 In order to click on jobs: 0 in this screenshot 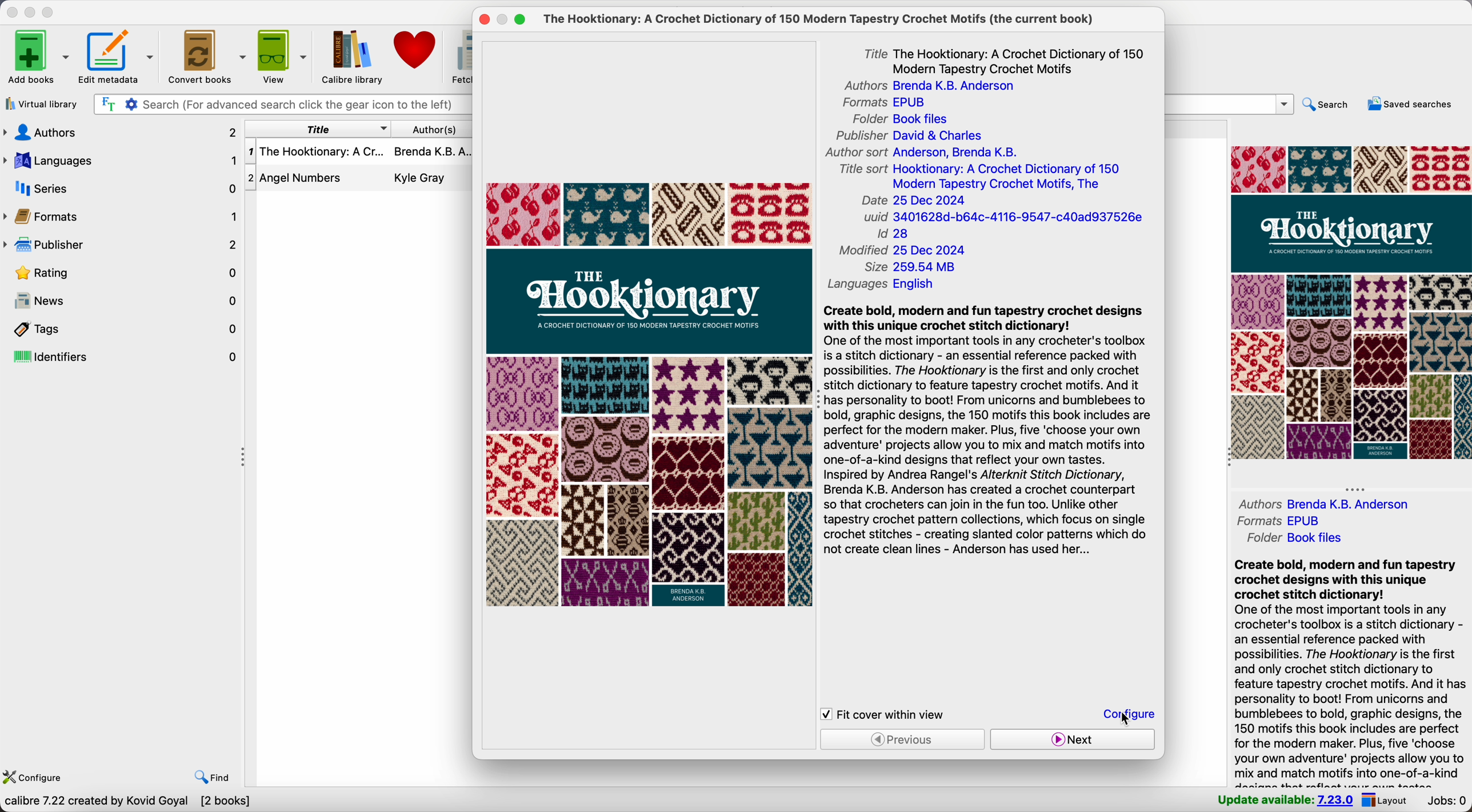, I will do `click(1445, 801)`.